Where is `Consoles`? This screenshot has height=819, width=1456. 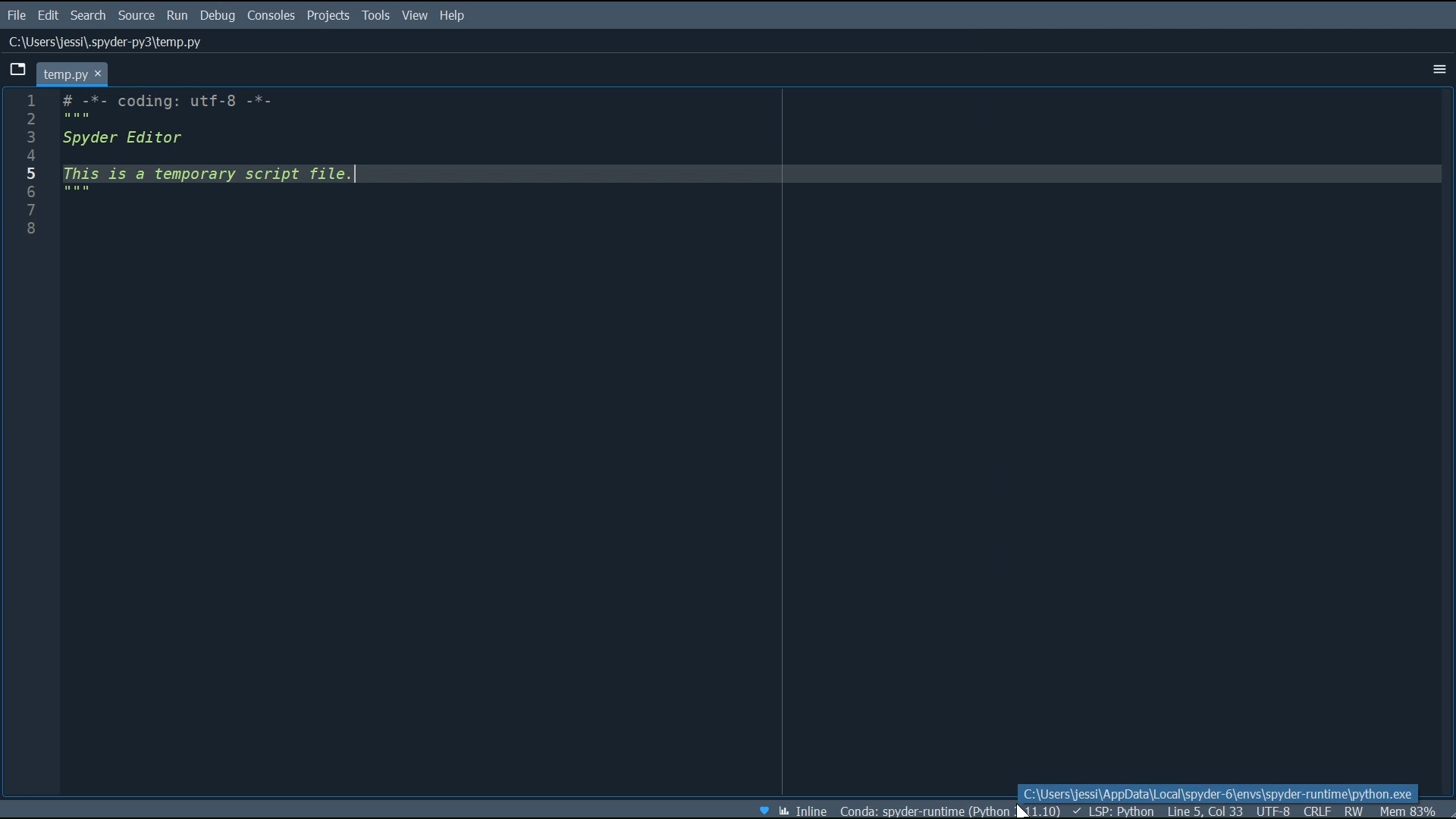
Consoles is located at coordinates (271, 17).